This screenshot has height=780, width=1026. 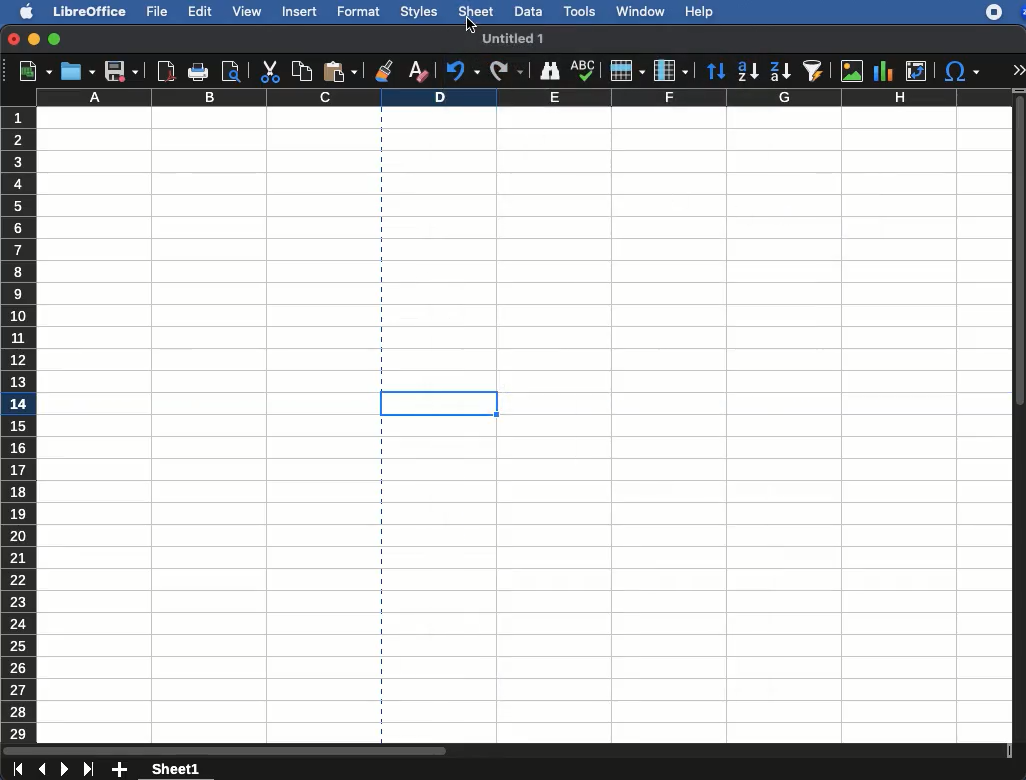 What do you see at coordinates (199, 12) in the screenshot?
I see `edit` at bounding box center [199, 12].